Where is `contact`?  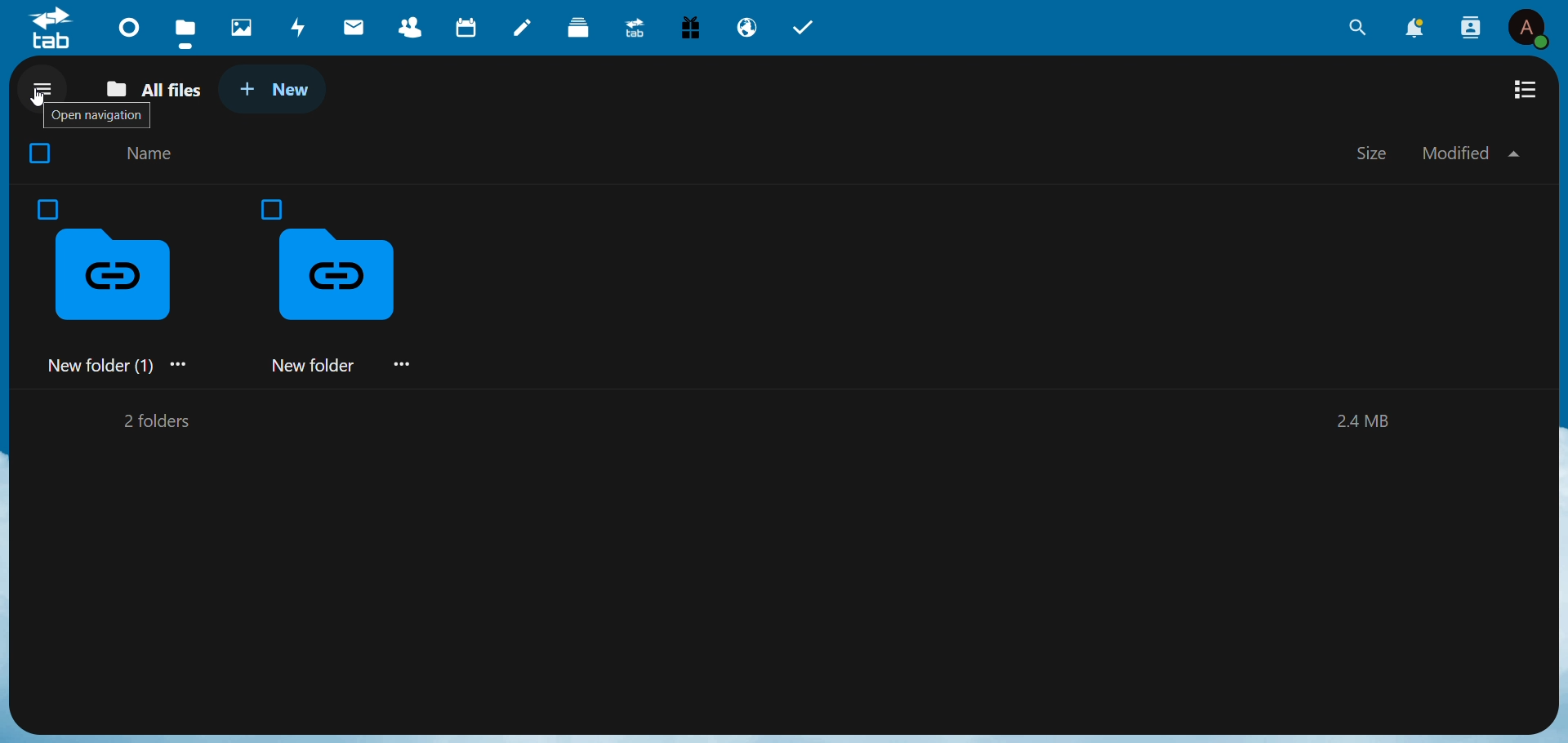
contact is located at coordinates (408, 25).